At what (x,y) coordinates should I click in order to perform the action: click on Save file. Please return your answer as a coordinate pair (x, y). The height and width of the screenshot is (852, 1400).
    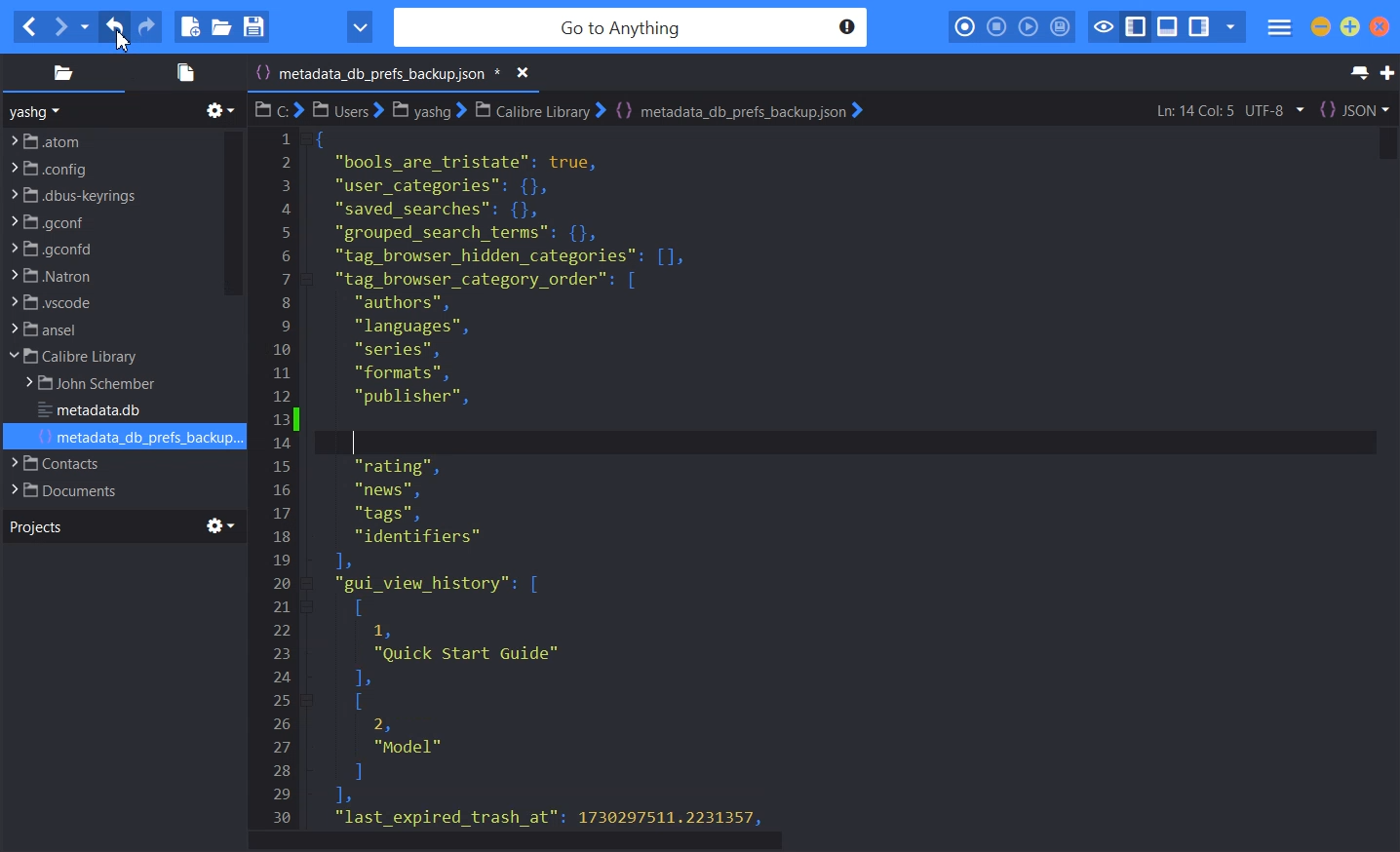
    Looking at the image, I should click on (253, 26).